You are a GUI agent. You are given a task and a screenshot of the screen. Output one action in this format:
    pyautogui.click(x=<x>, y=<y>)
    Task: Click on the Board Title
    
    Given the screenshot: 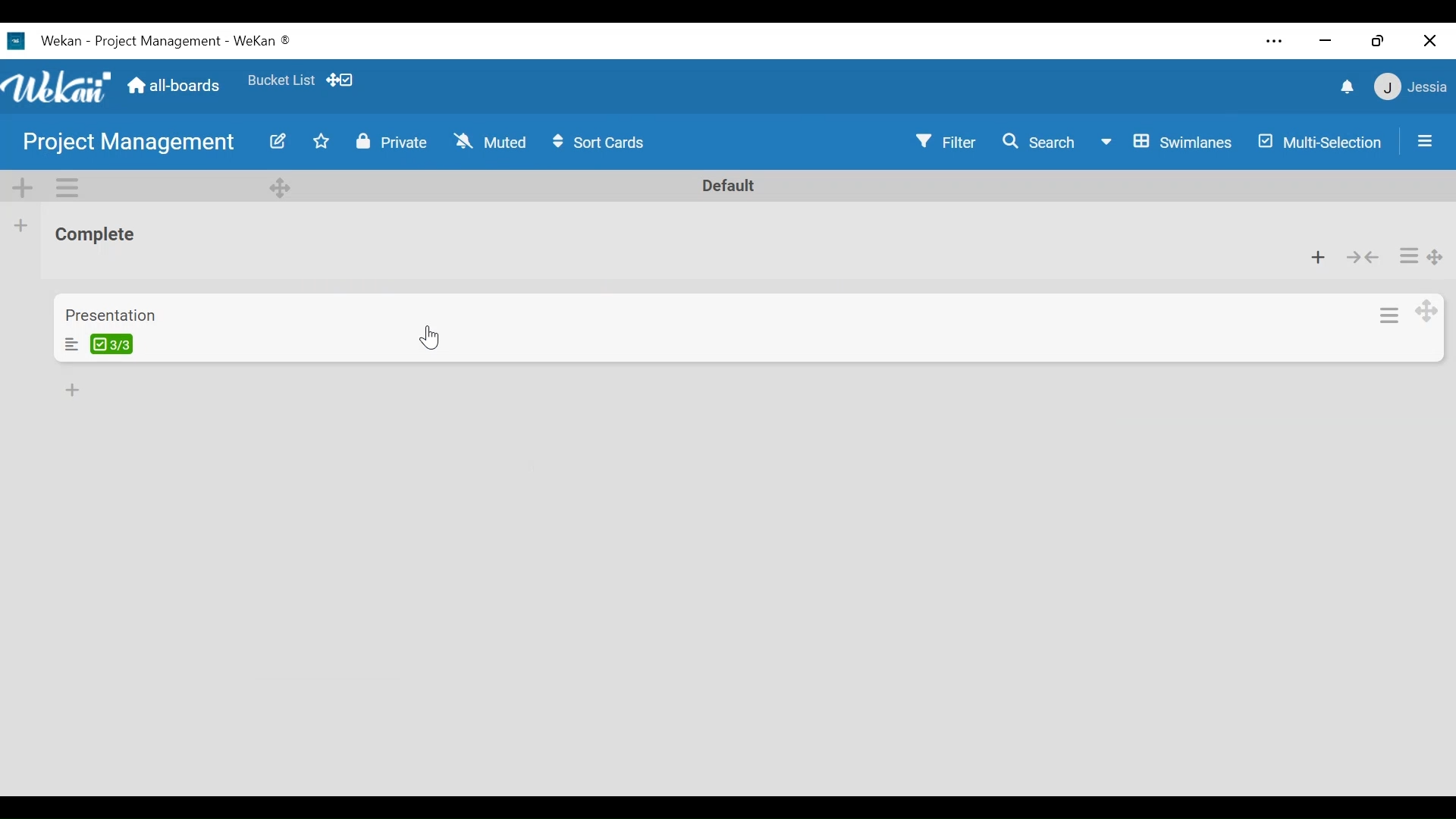 What is the action you would take?
    pyautogui.click(x=129, y=145)
    